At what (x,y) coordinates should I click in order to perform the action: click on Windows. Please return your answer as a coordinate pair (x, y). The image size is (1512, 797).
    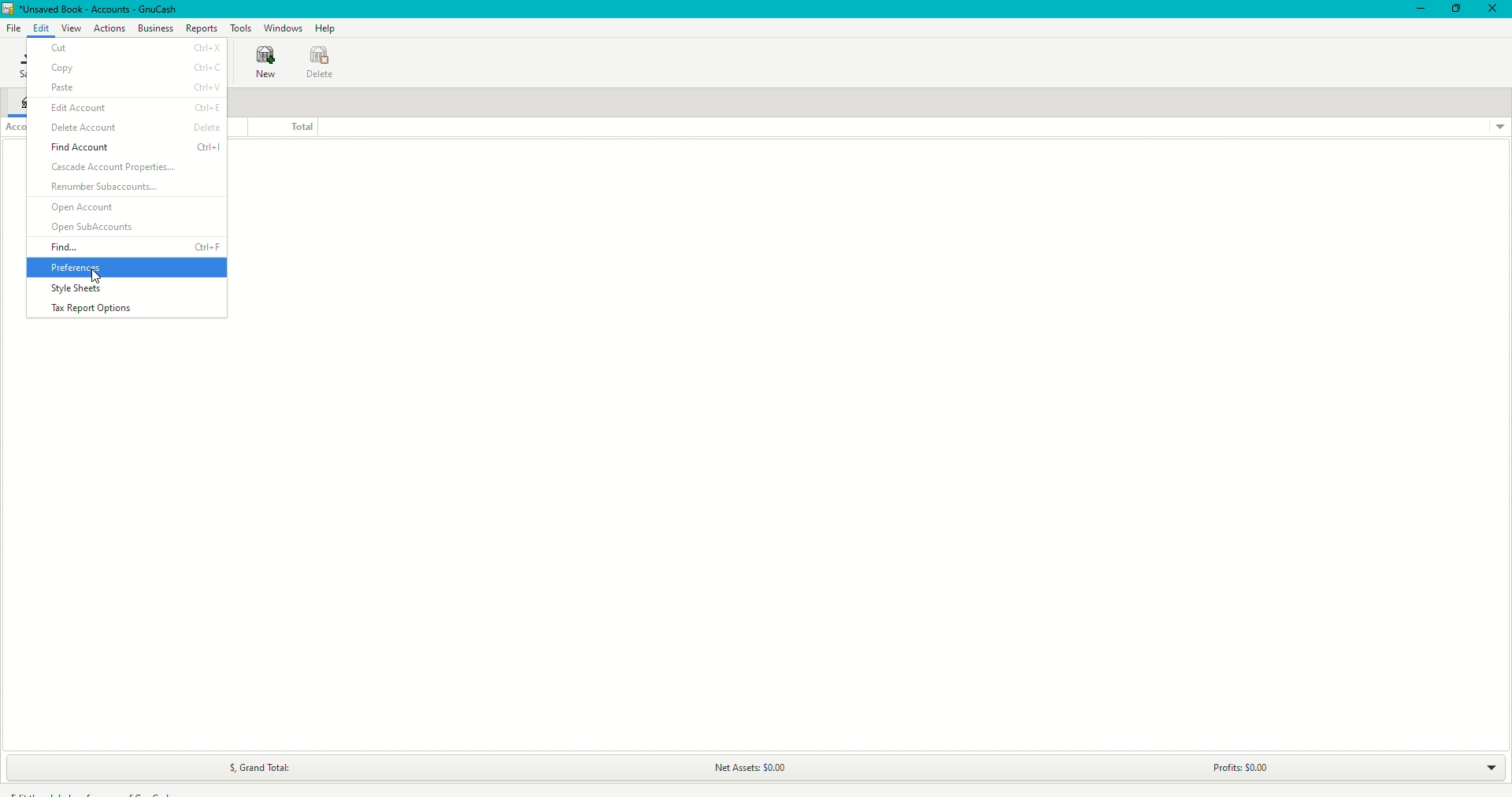
    Looking at the image, I should click on (286, 28).